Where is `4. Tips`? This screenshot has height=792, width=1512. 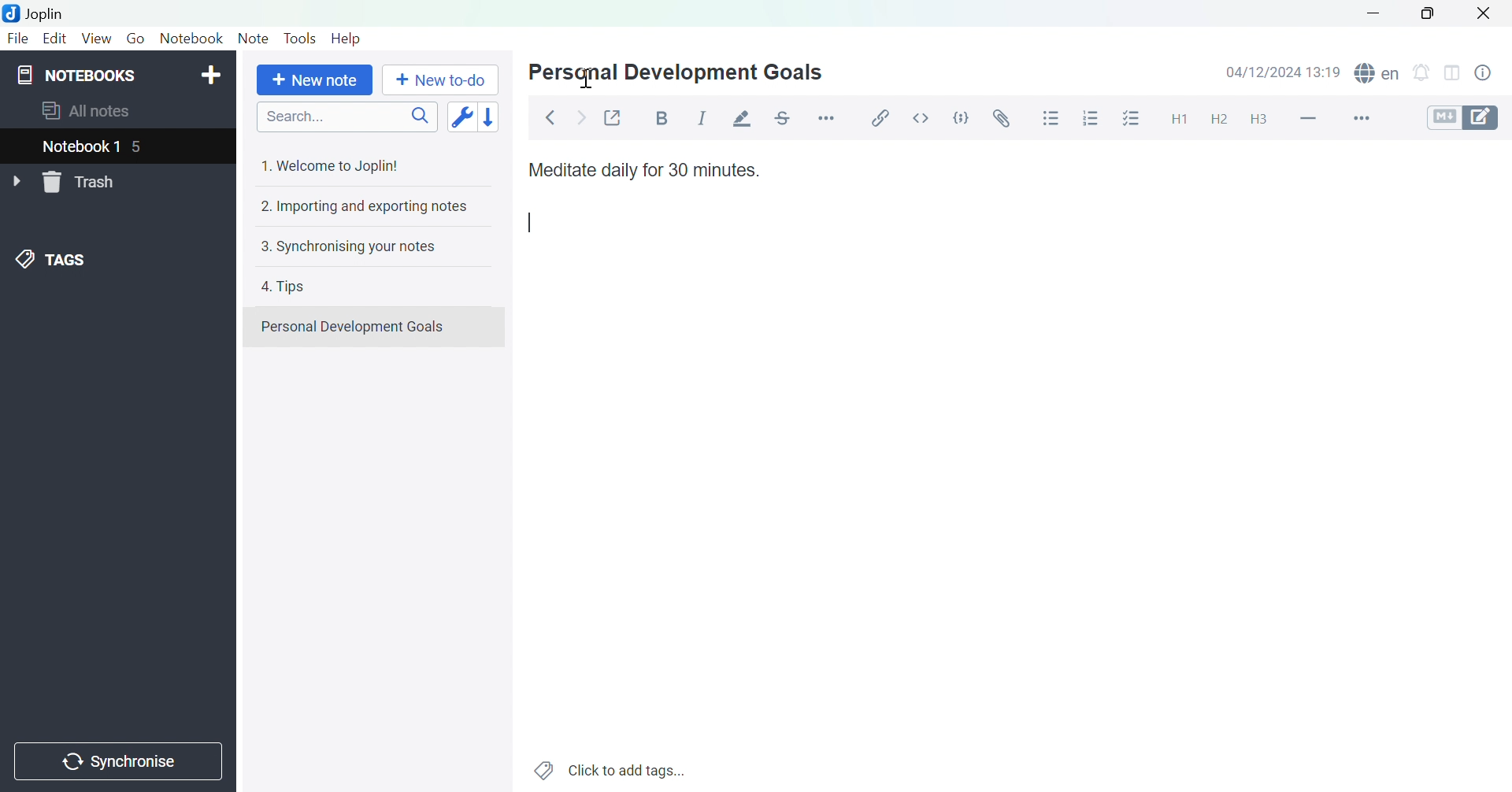
4. Tips is located at coordinates (287, 287).